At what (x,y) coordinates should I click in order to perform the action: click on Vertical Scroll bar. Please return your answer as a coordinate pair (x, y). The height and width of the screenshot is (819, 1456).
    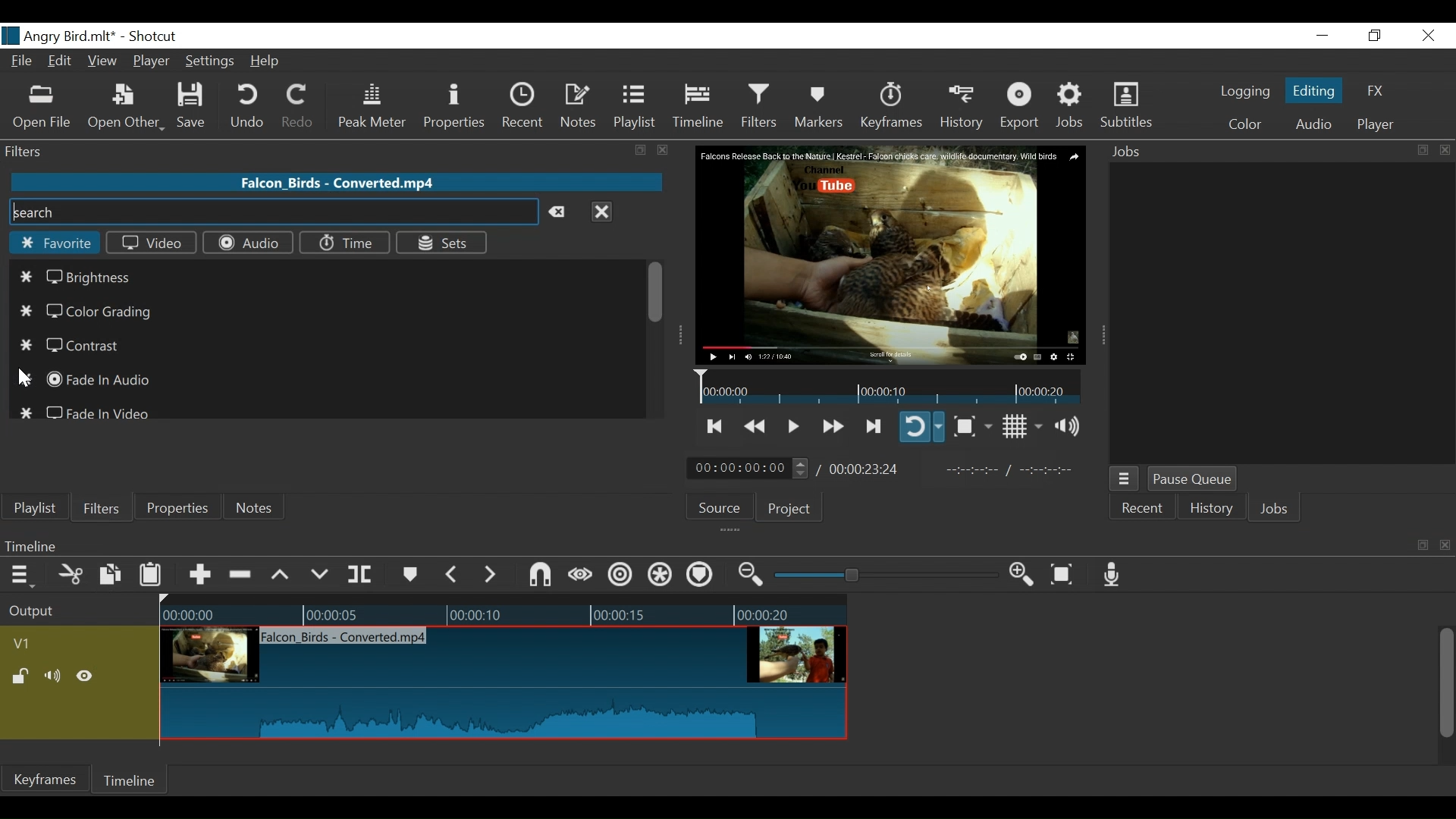
    Looking at the image, I should click on (657, 291).